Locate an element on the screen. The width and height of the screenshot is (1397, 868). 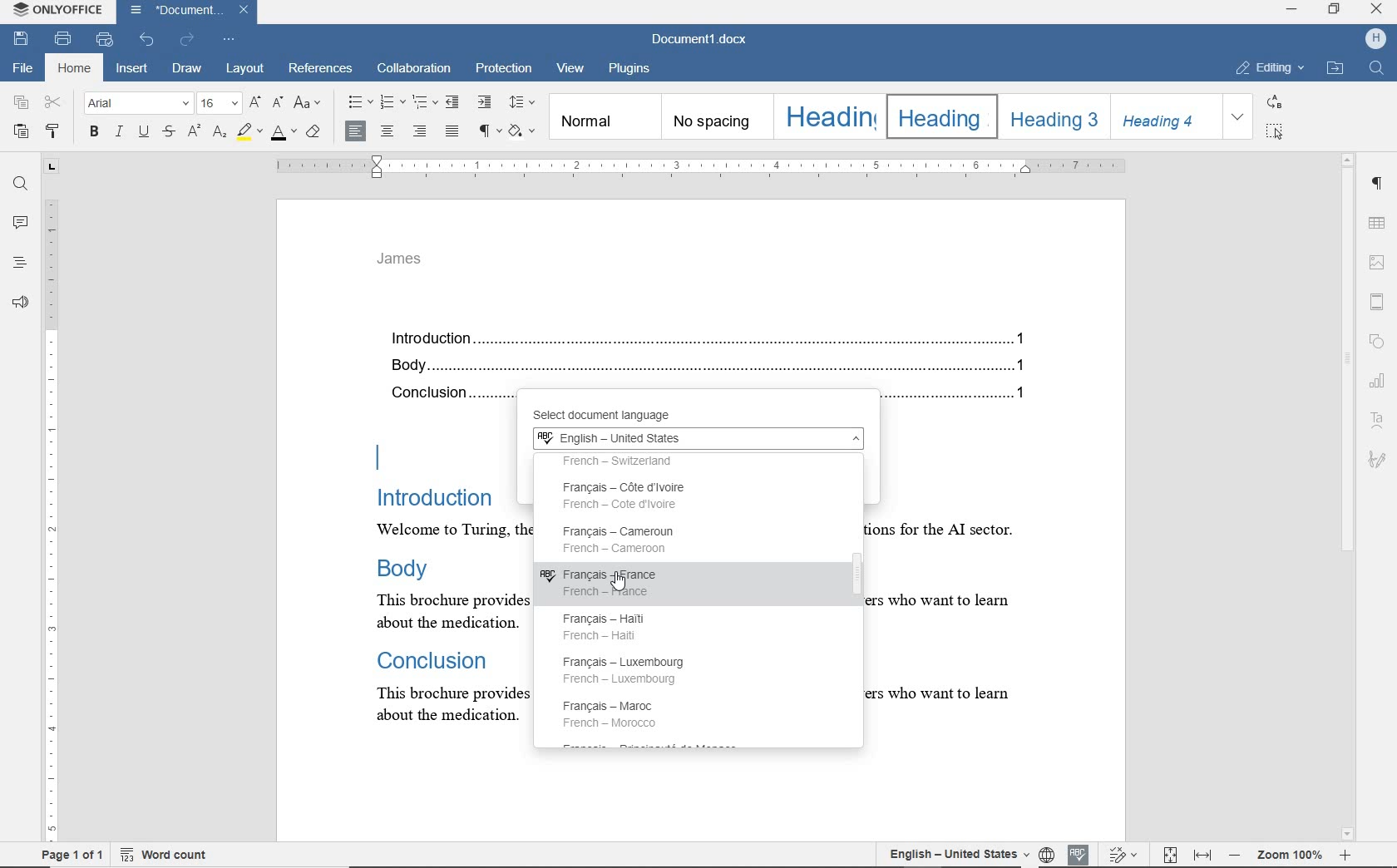
insert image is located at coordinates (1378, 263).